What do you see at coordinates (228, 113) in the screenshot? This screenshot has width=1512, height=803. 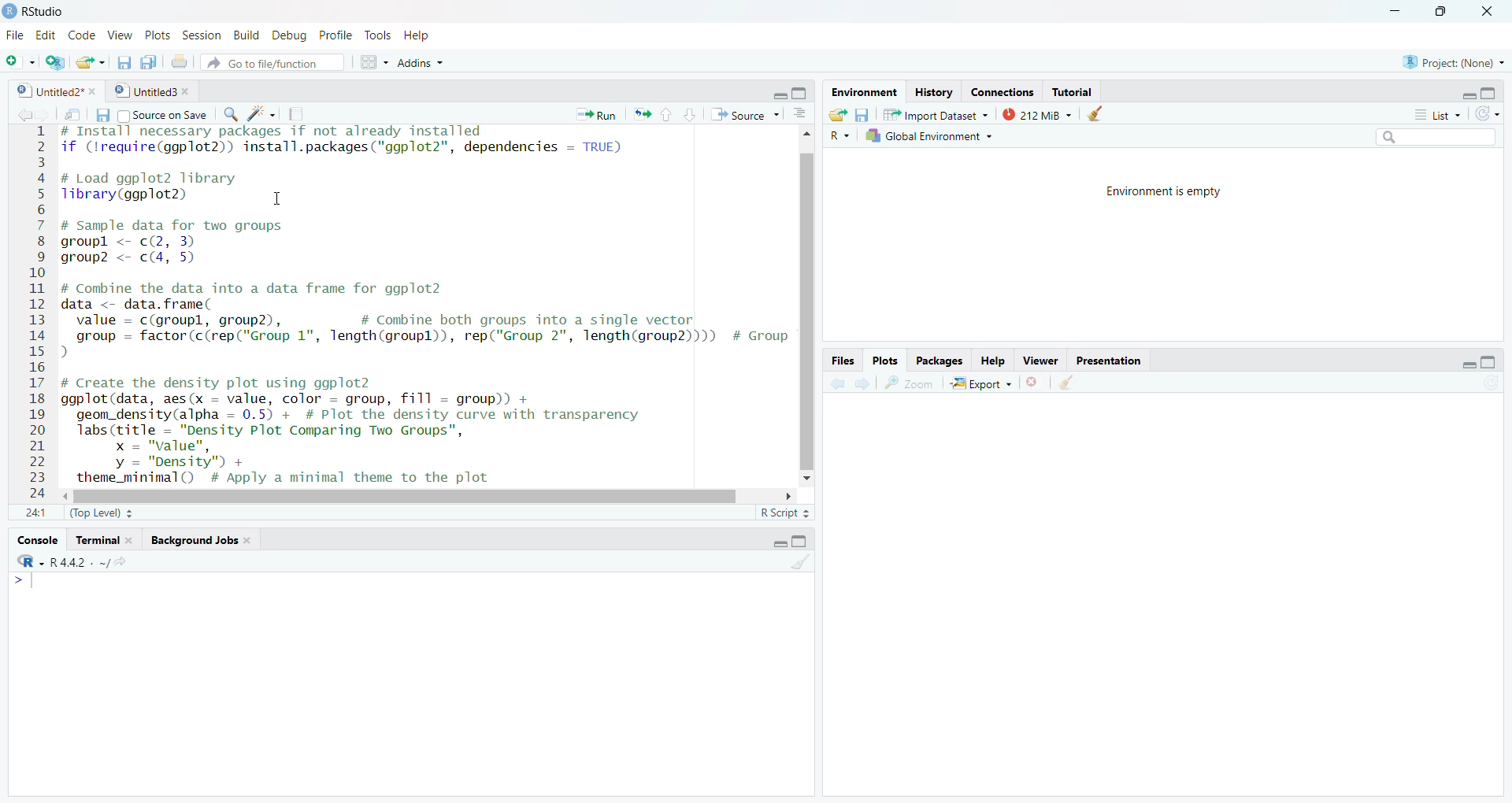 I see `search` at bounding box center [228, 113].